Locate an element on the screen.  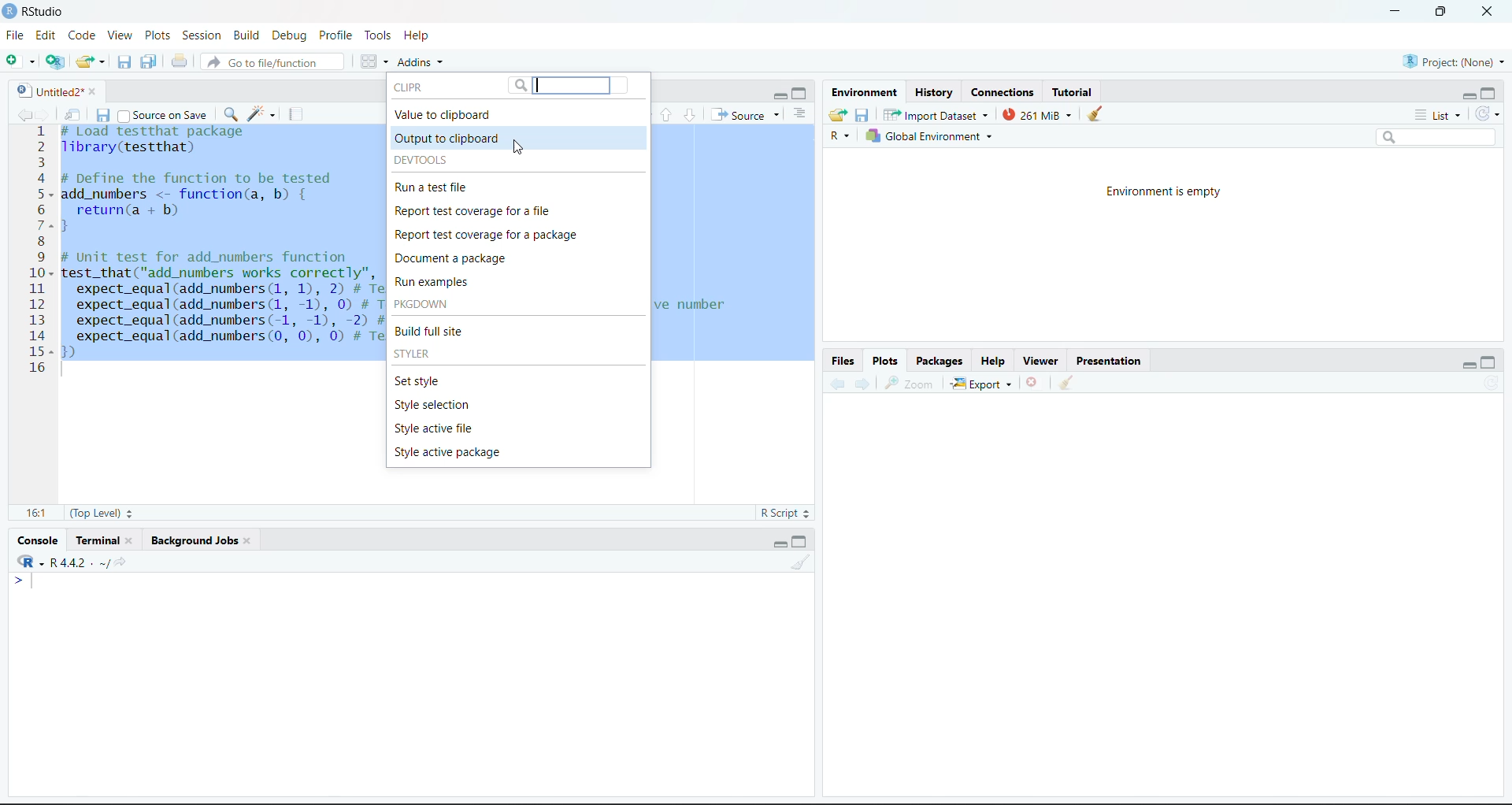
maximize is located at coordinates (1490, 91).